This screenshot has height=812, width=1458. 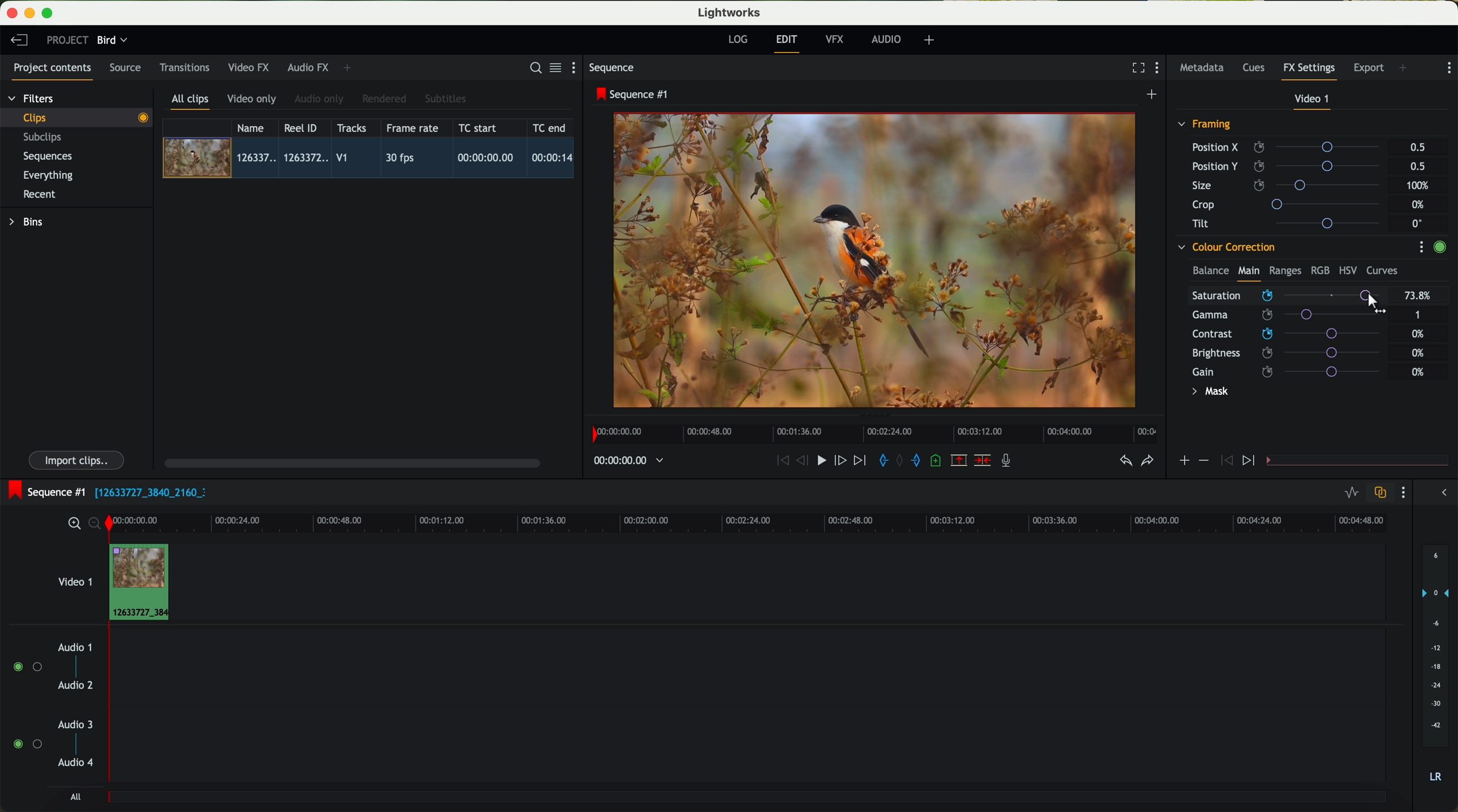 I want to click on maximize program, so click(x=49, y=14).